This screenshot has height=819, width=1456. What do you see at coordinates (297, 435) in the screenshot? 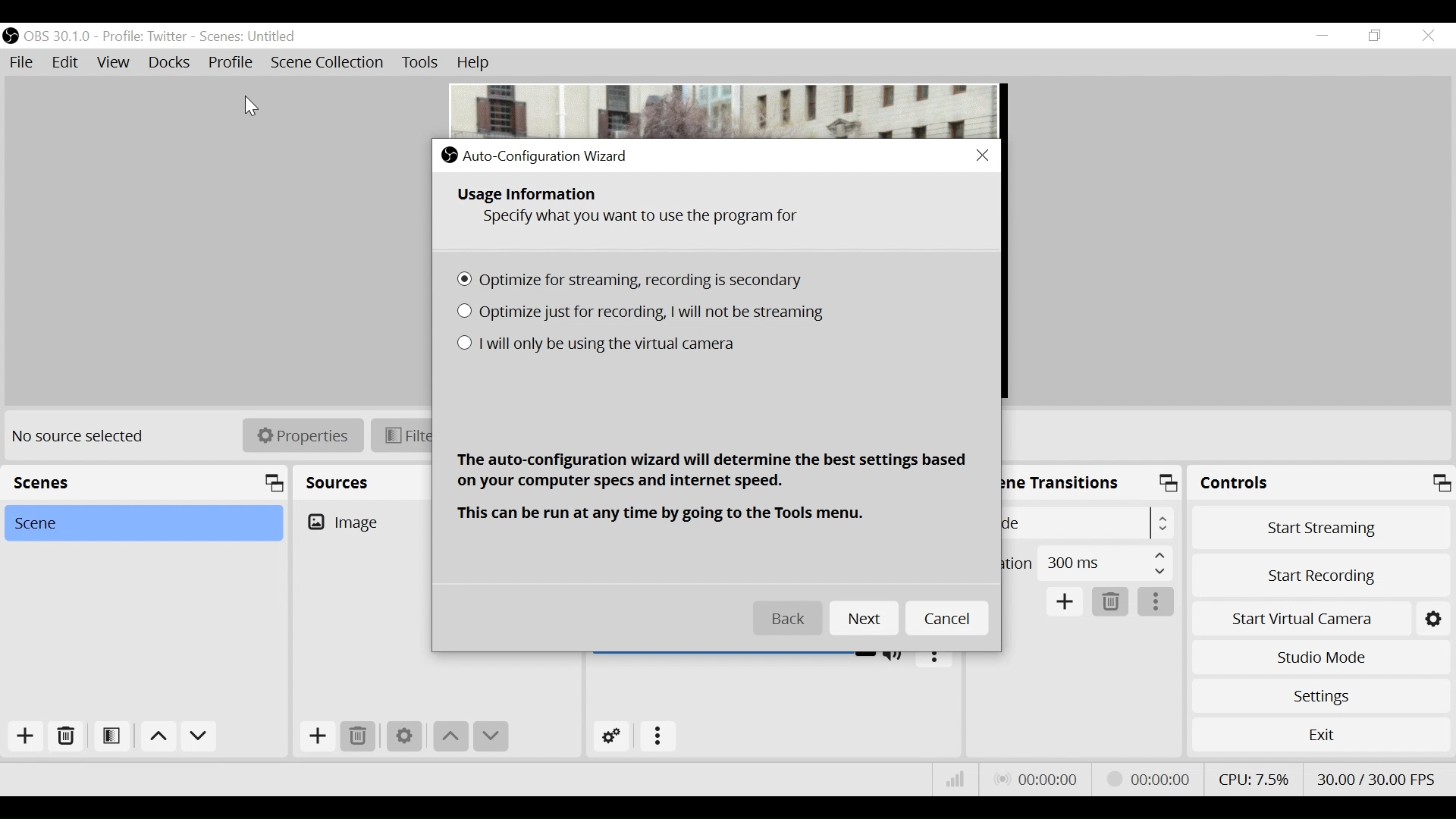
I see `Properties` at bounding box center [297, 435].